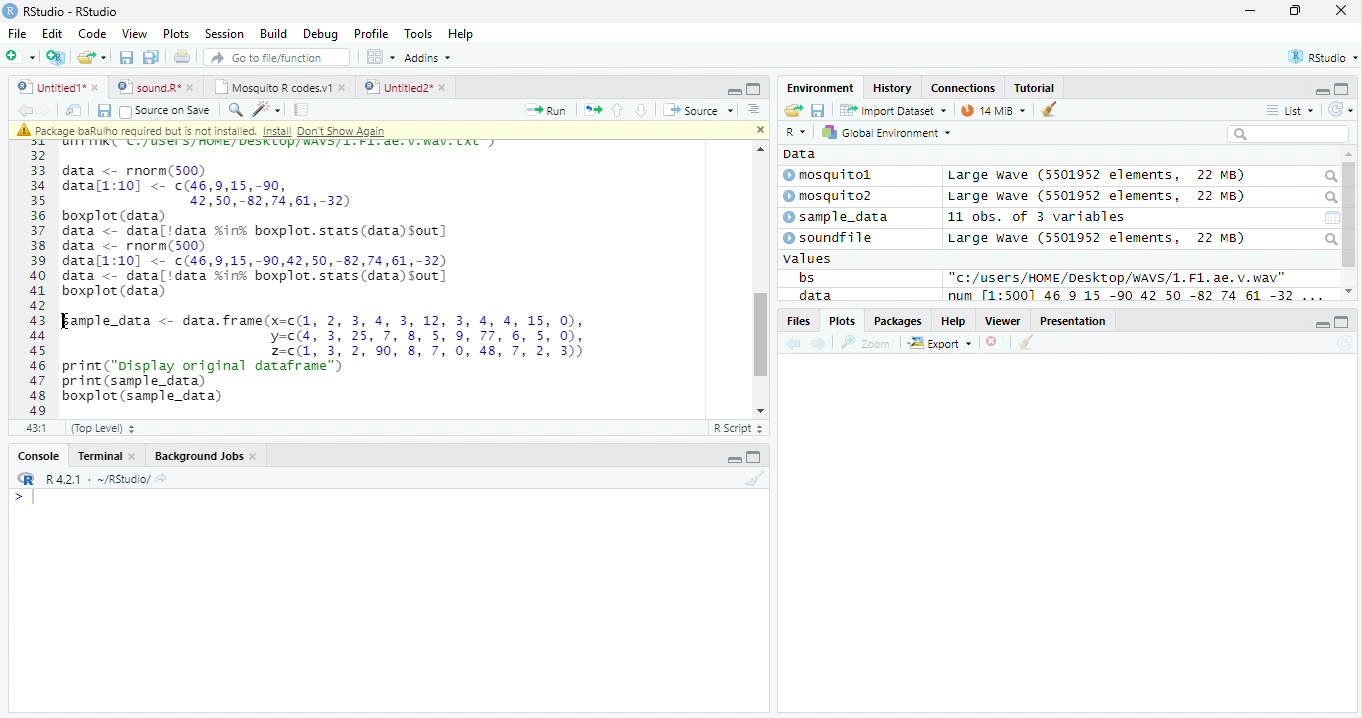 Image resolution: width=1362 pixels, height=718 pixels. I want to click on Go to next session, so click(642, 111).